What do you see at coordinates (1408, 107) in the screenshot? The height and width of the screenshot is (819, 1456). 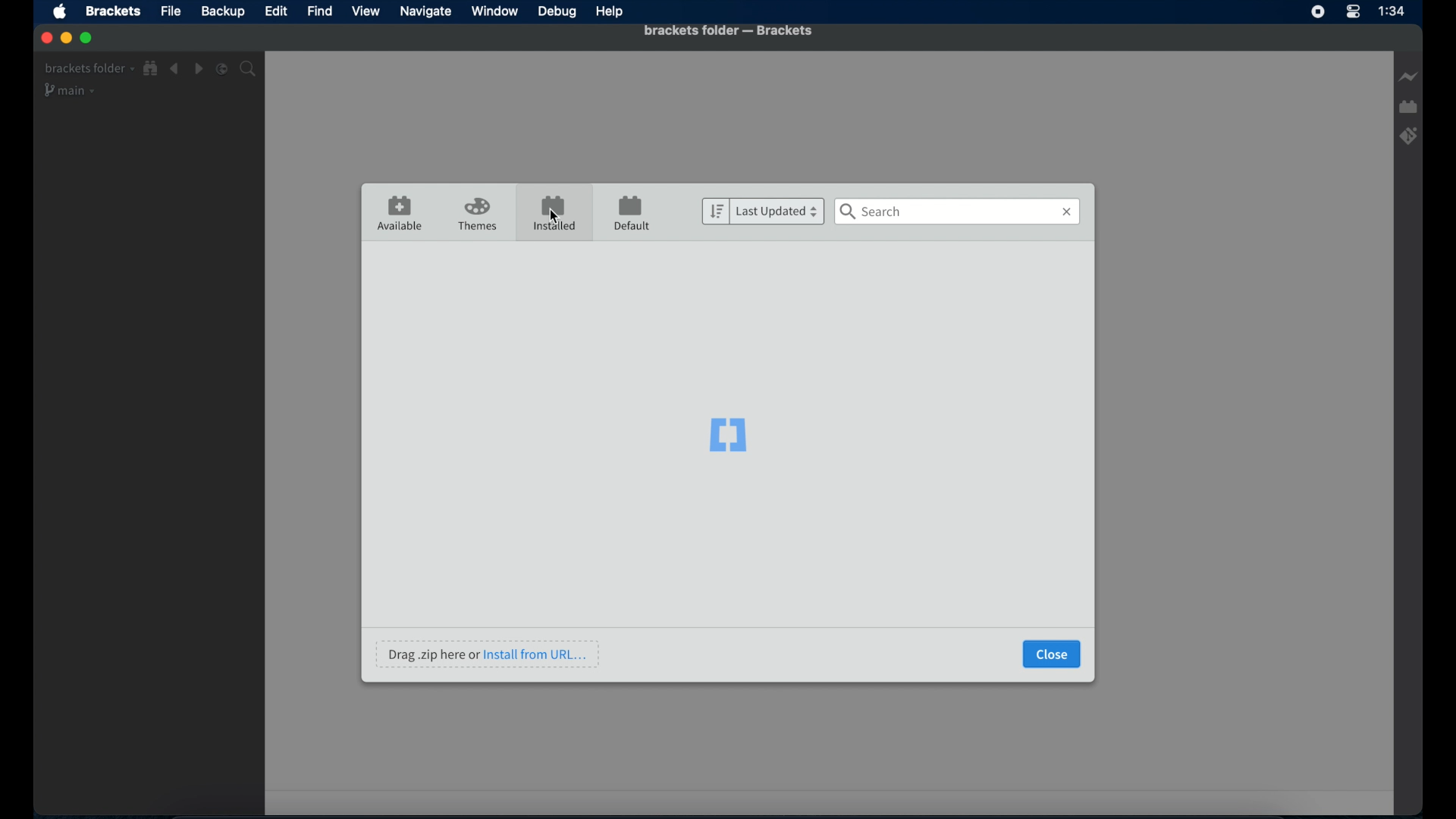 I see `Extension manager` at bounding box center [1408, 107].